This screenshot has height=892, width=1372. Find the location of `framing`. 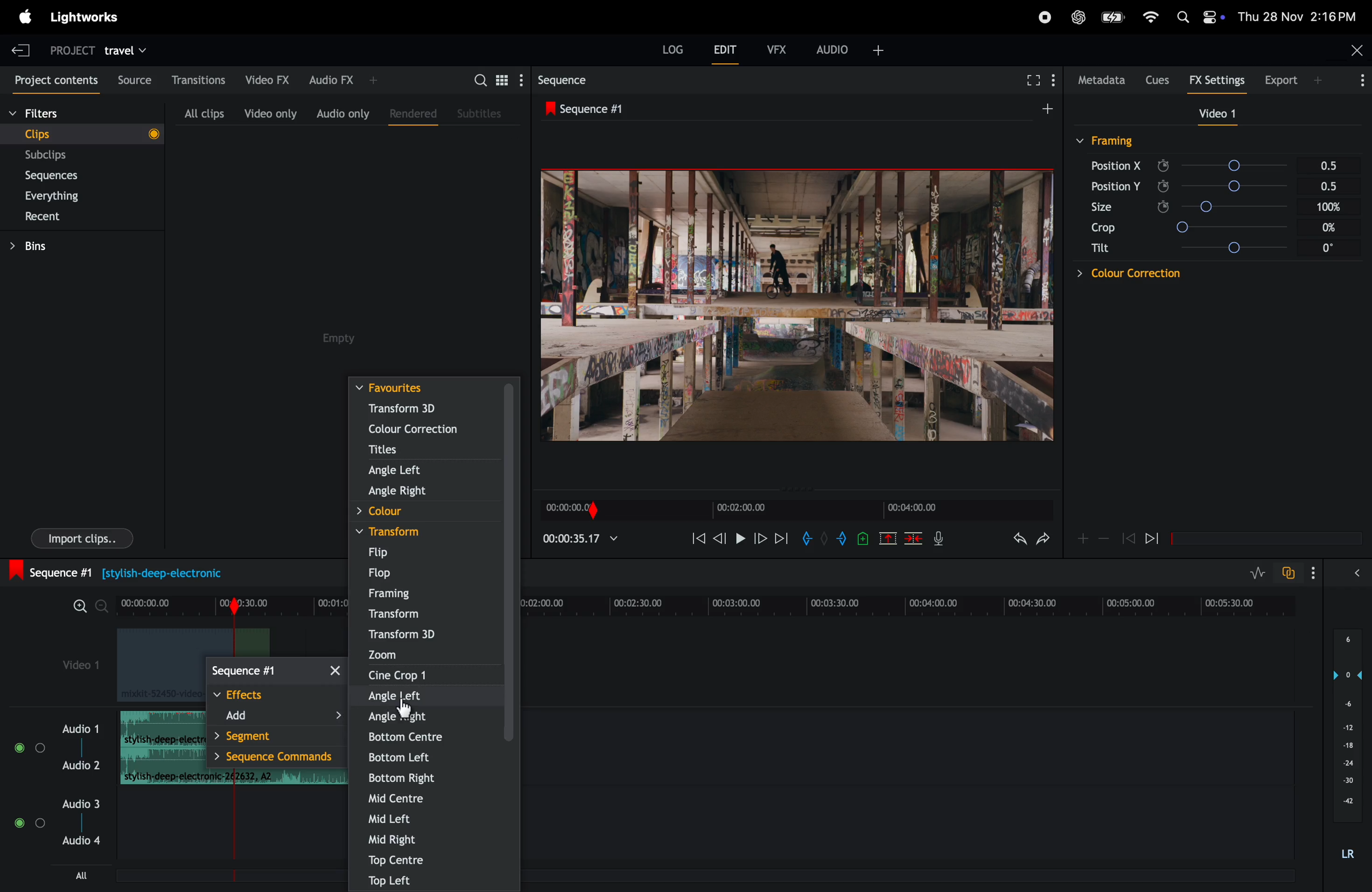

framing is located at coordinates (1107, 140).